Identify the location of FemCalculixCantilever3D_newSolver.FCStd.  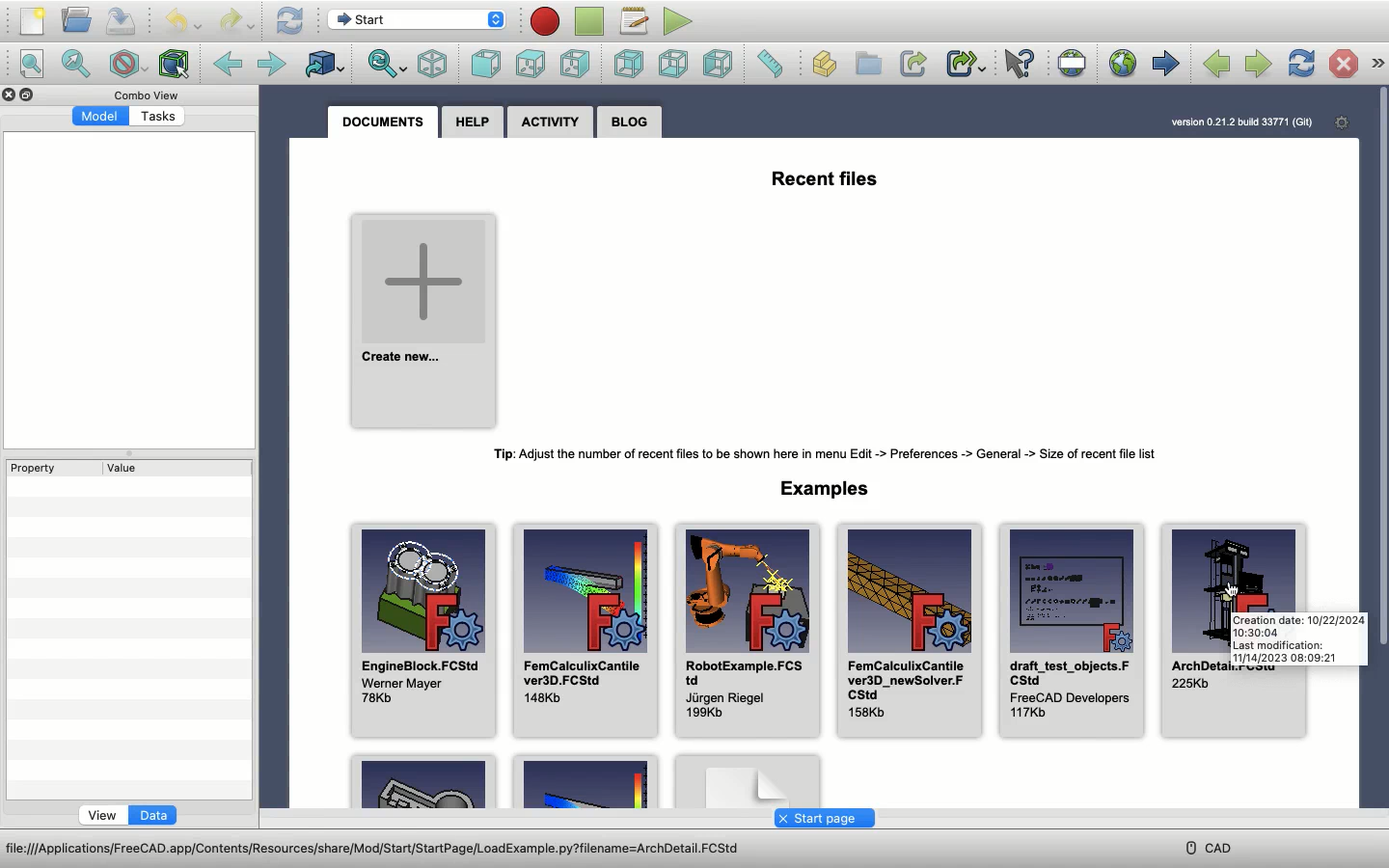
(911, 631).